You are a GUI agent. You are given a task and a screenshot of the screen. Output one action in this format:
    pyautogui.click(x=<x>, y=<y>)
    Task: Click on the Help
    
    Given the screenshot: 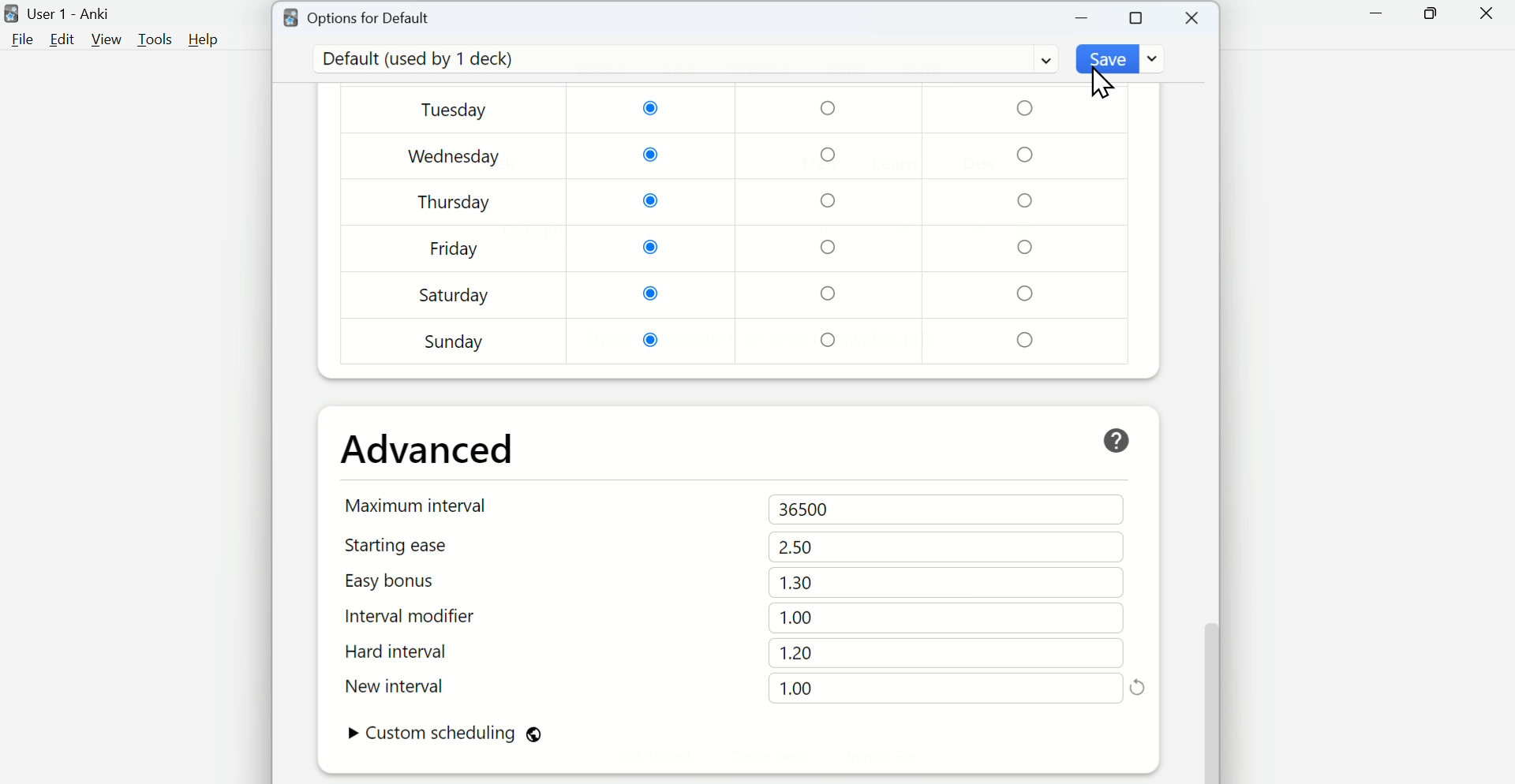 What is the action you would take?
    pyautogui.click(x=204, y=39)
    